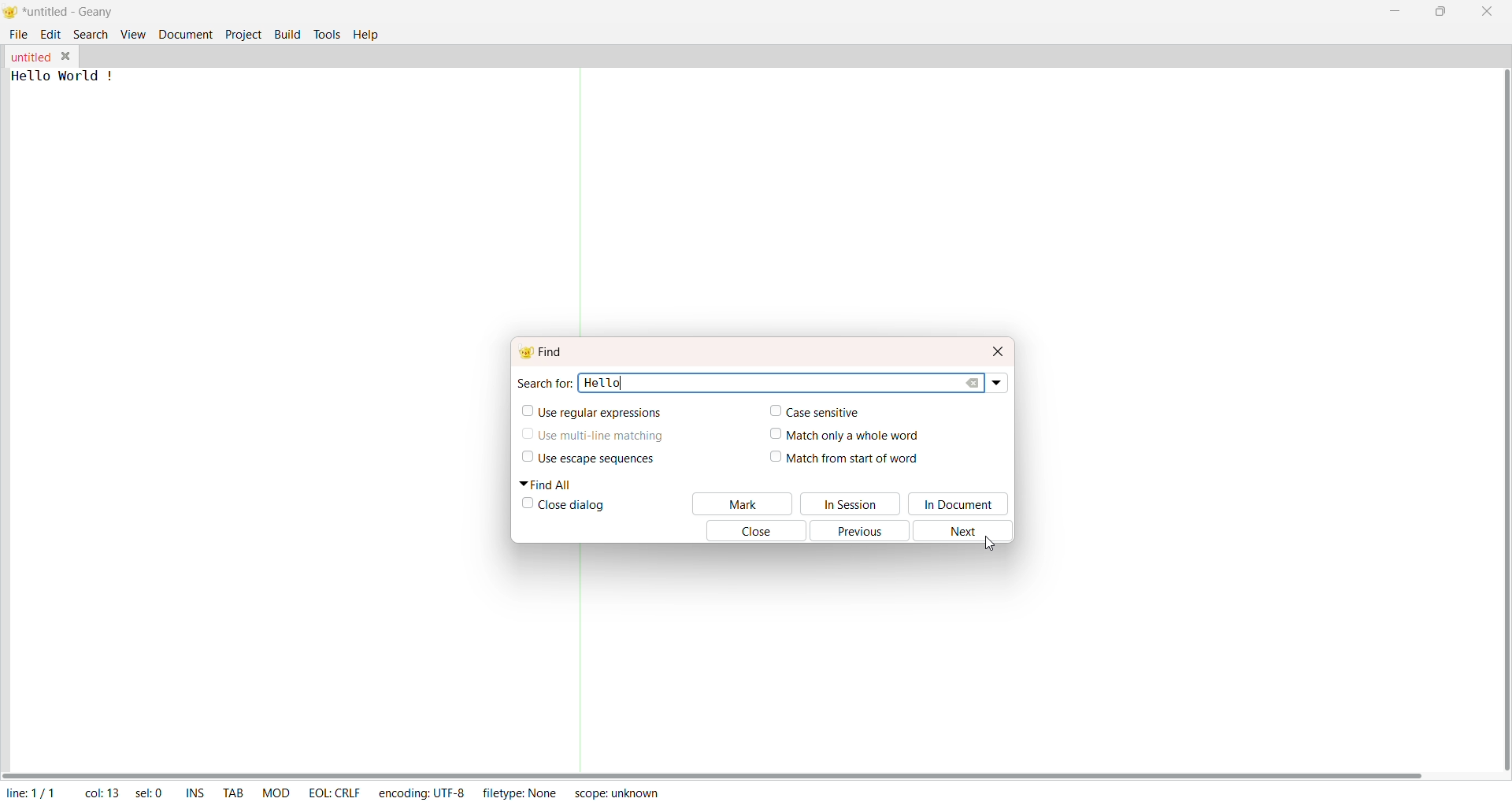 The width and height of the screenshot is (1512, 802). What do you see at coordinates (770, 436) in the screenshot?
I see `Check box` at bounding box center [770, 436].